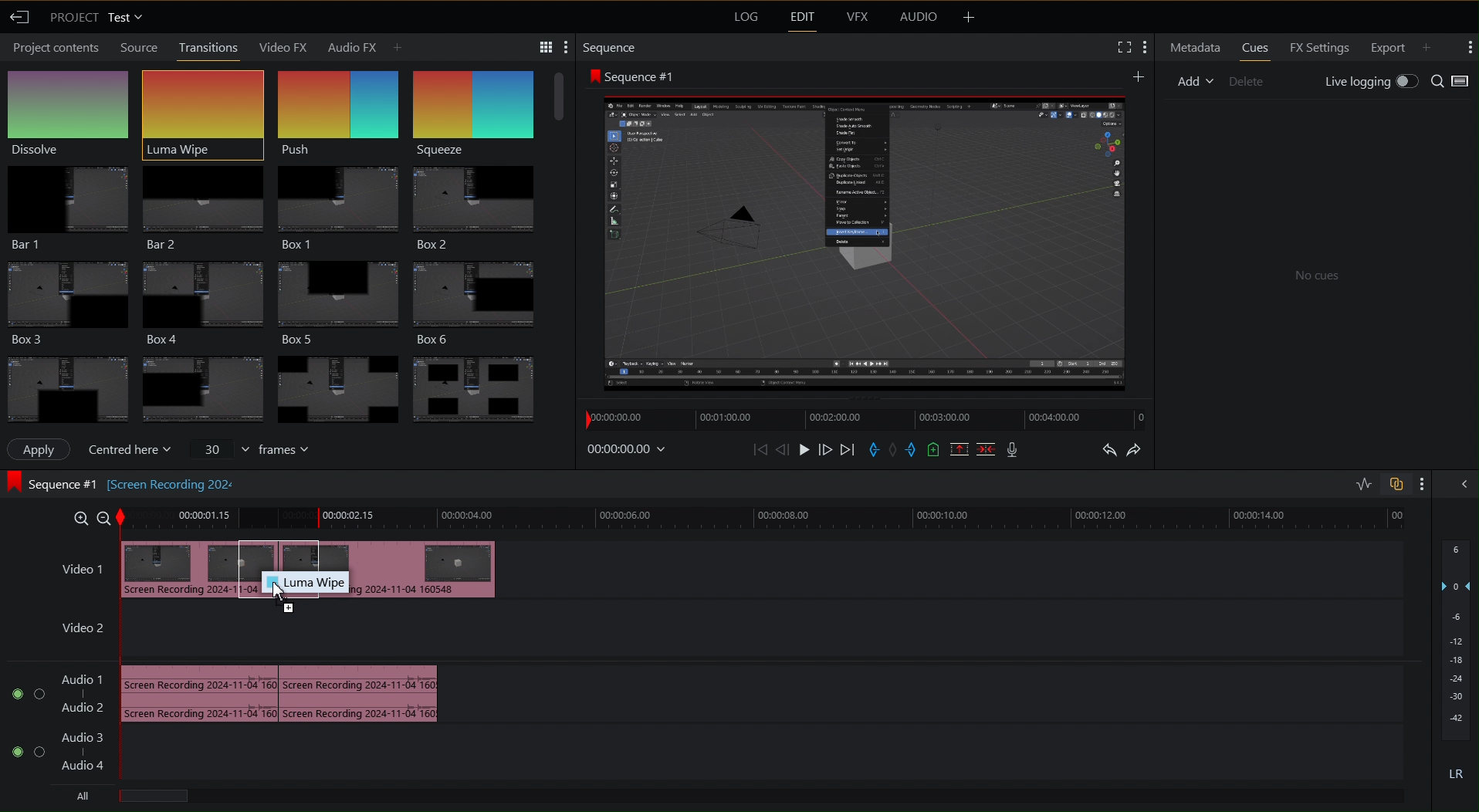 This screenshot has height=812, width=1479. What do you see at coordinates (969, 18) in the screenshot?
I see `More` at bounding box center [969, 18].